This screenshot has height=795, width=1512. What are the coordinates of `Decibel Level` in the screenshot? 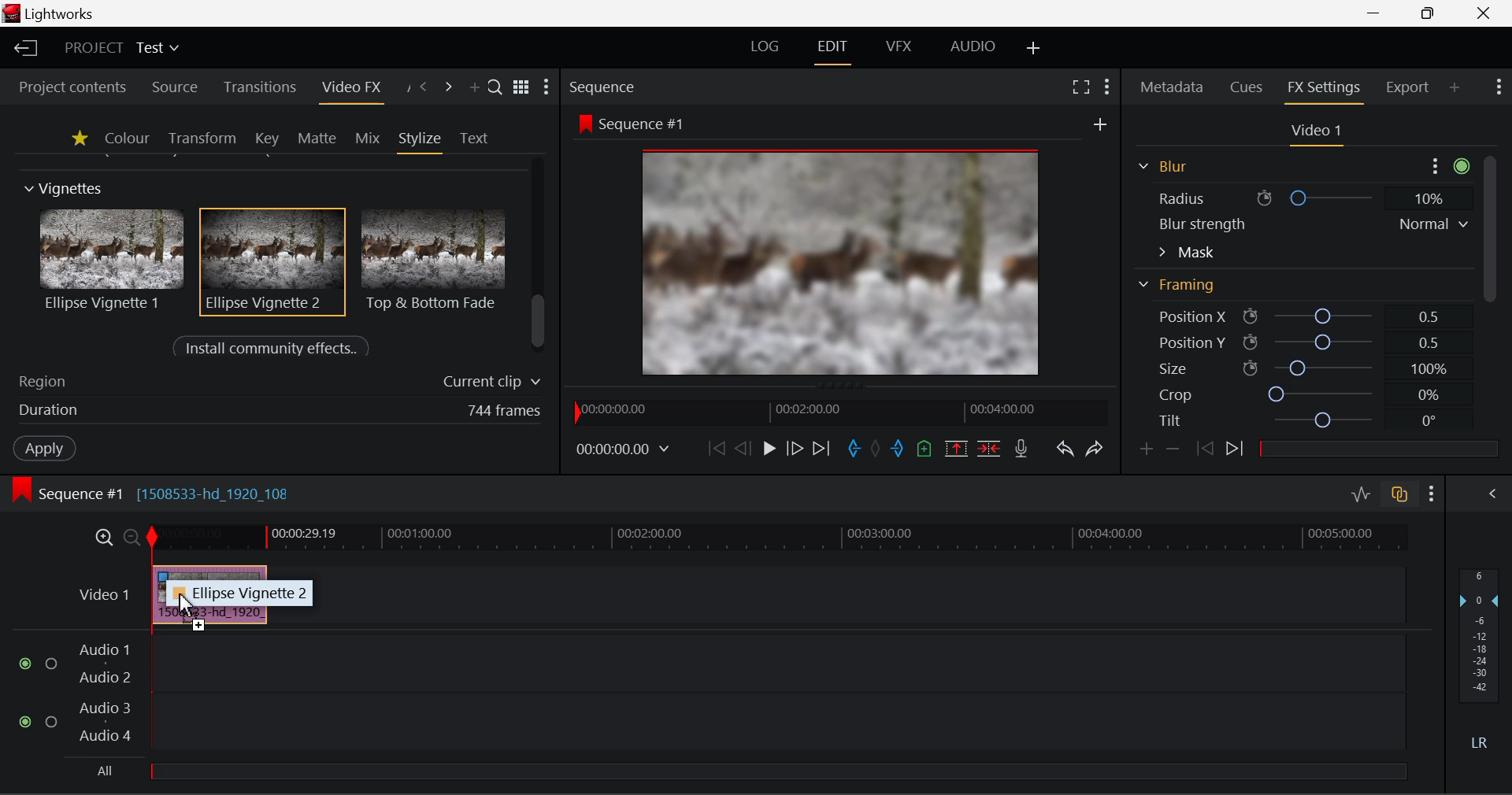 It's located at (1480, 664).